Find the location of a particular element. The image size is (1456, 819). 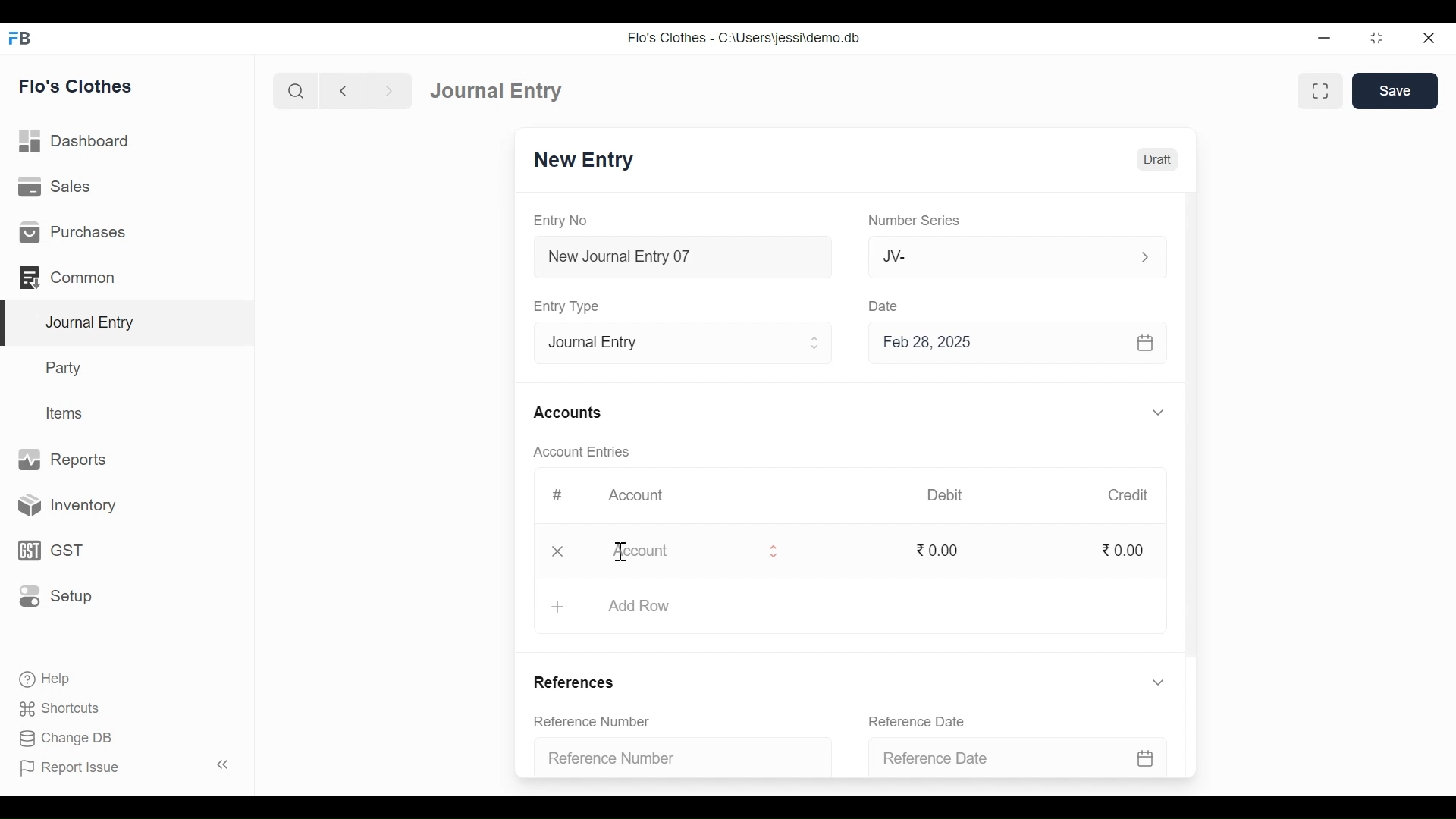

Entry Type is located at coordinates (670, 344).